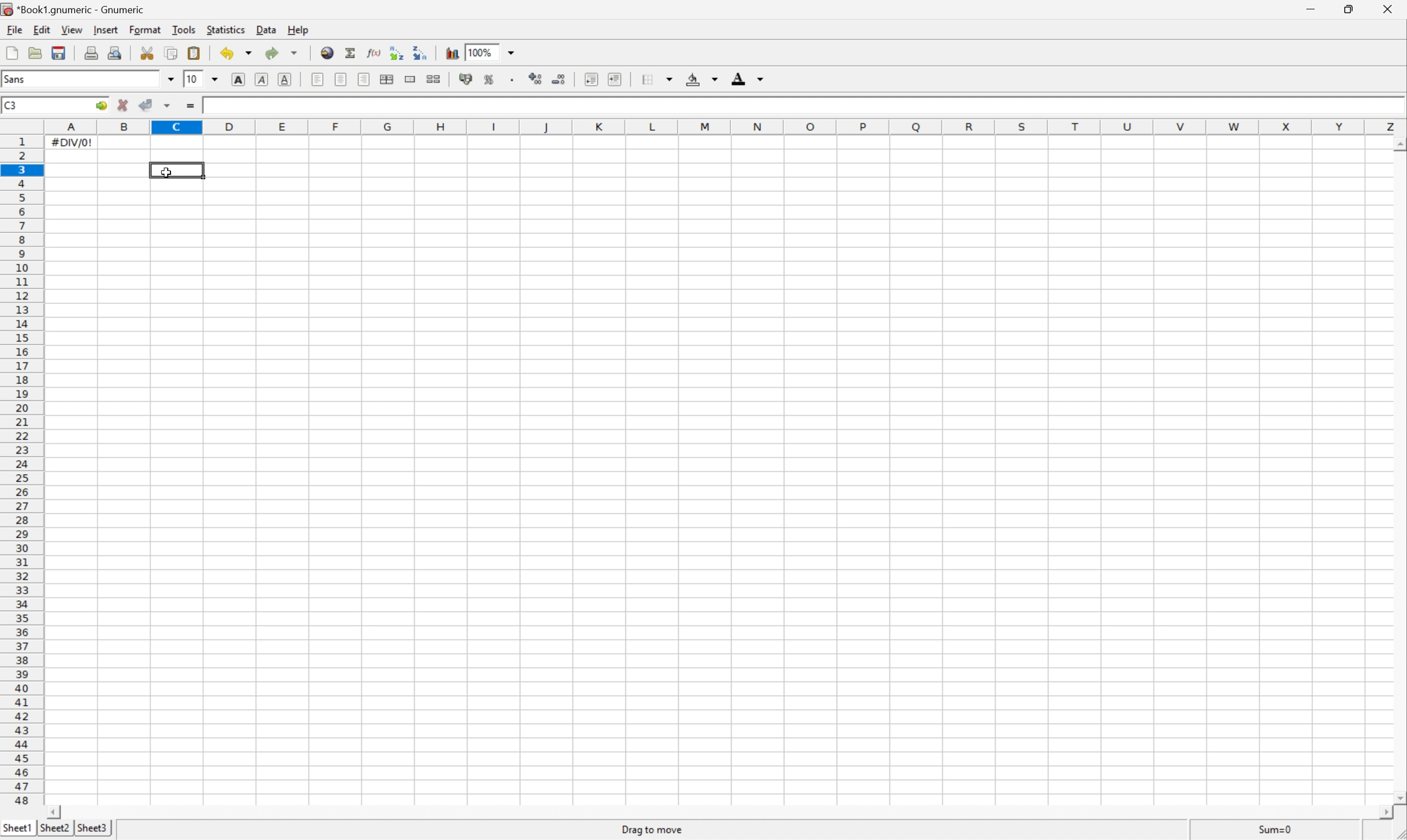 The width and height of the screenshot is (1407, 840). Describe the element at coordinates (327, 53) in the screenshot. I see `Insert a hyperlink` at that location.